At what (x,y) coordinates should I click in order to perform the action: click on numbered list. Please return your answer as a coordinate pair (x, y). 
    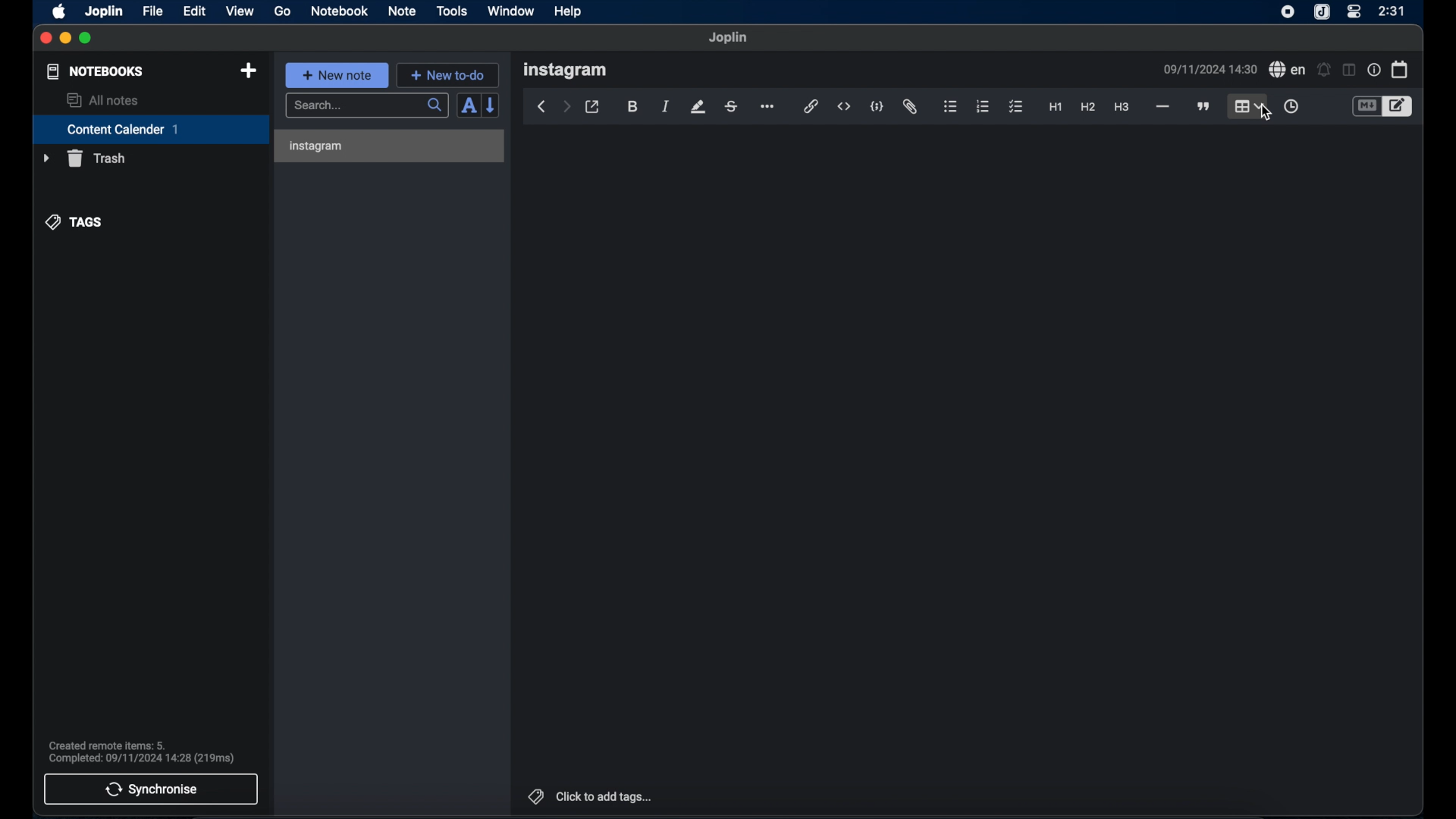
    Looking at the image, I should click on (984, 107).